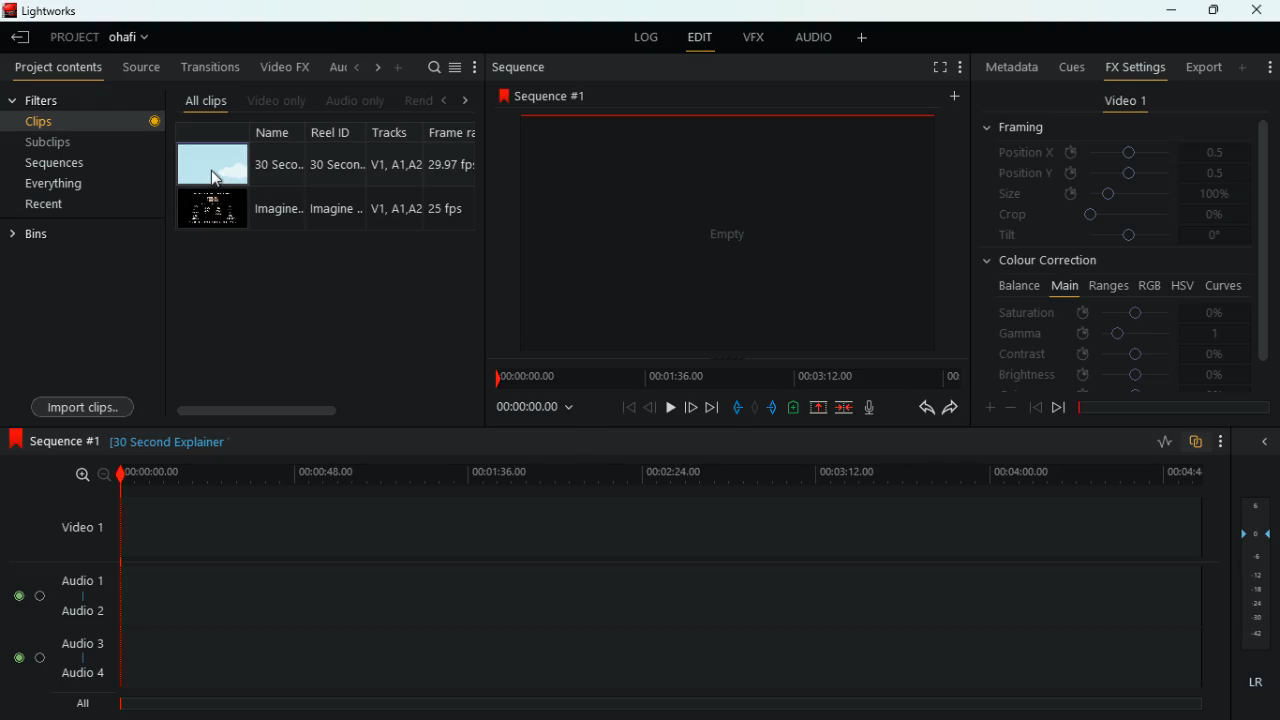 The width and height of the screenshot is (1280, 720). Describe the element at coordinates (1016, 286) in the screenshot. I see `balance` at that location.